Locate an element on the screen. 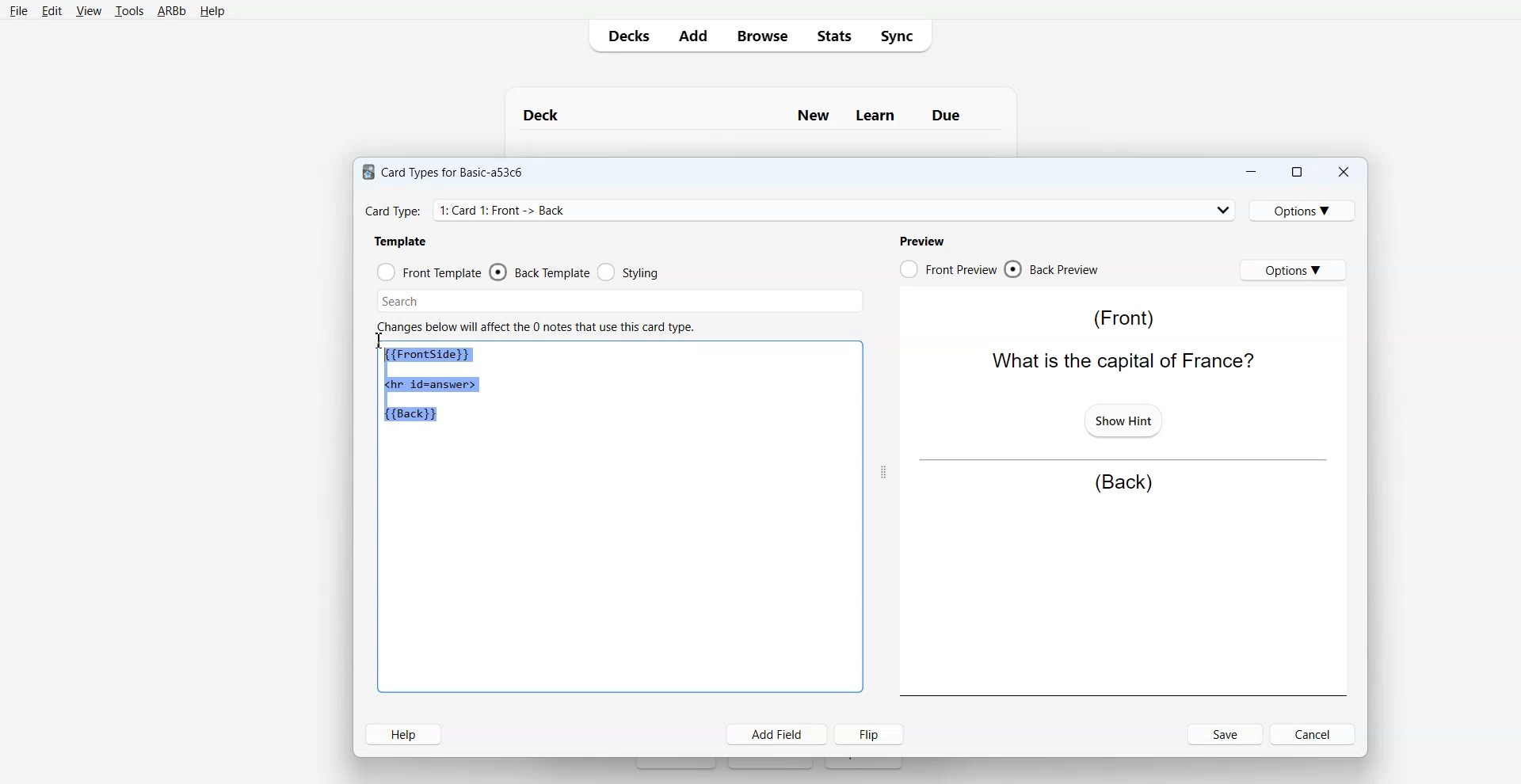 This screenshot has height=784, width=1521. Sync is located at coordinates (902, 35).